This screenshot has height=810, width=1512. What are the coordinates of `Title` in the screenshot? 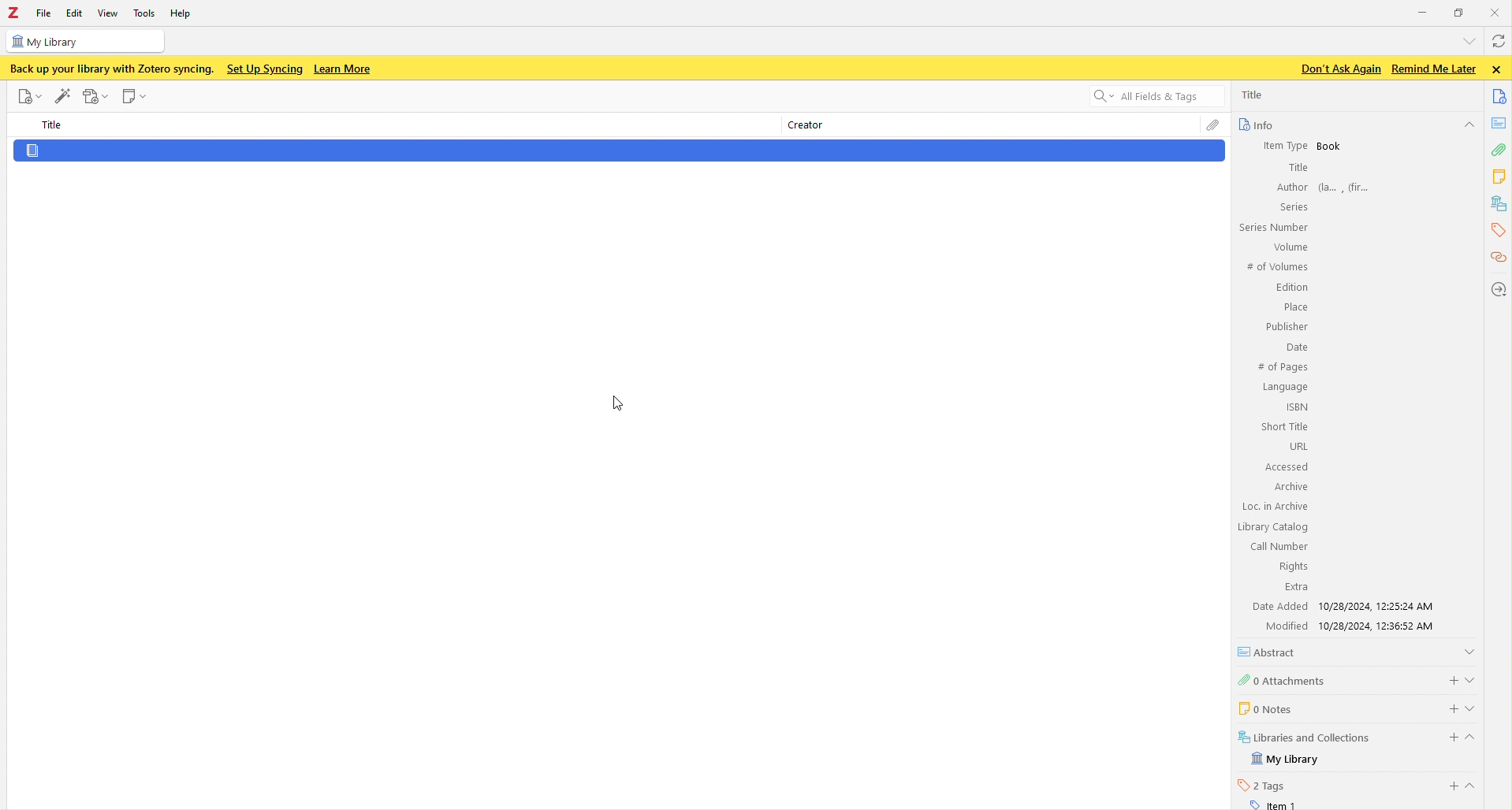 It's located at (1297, 168).